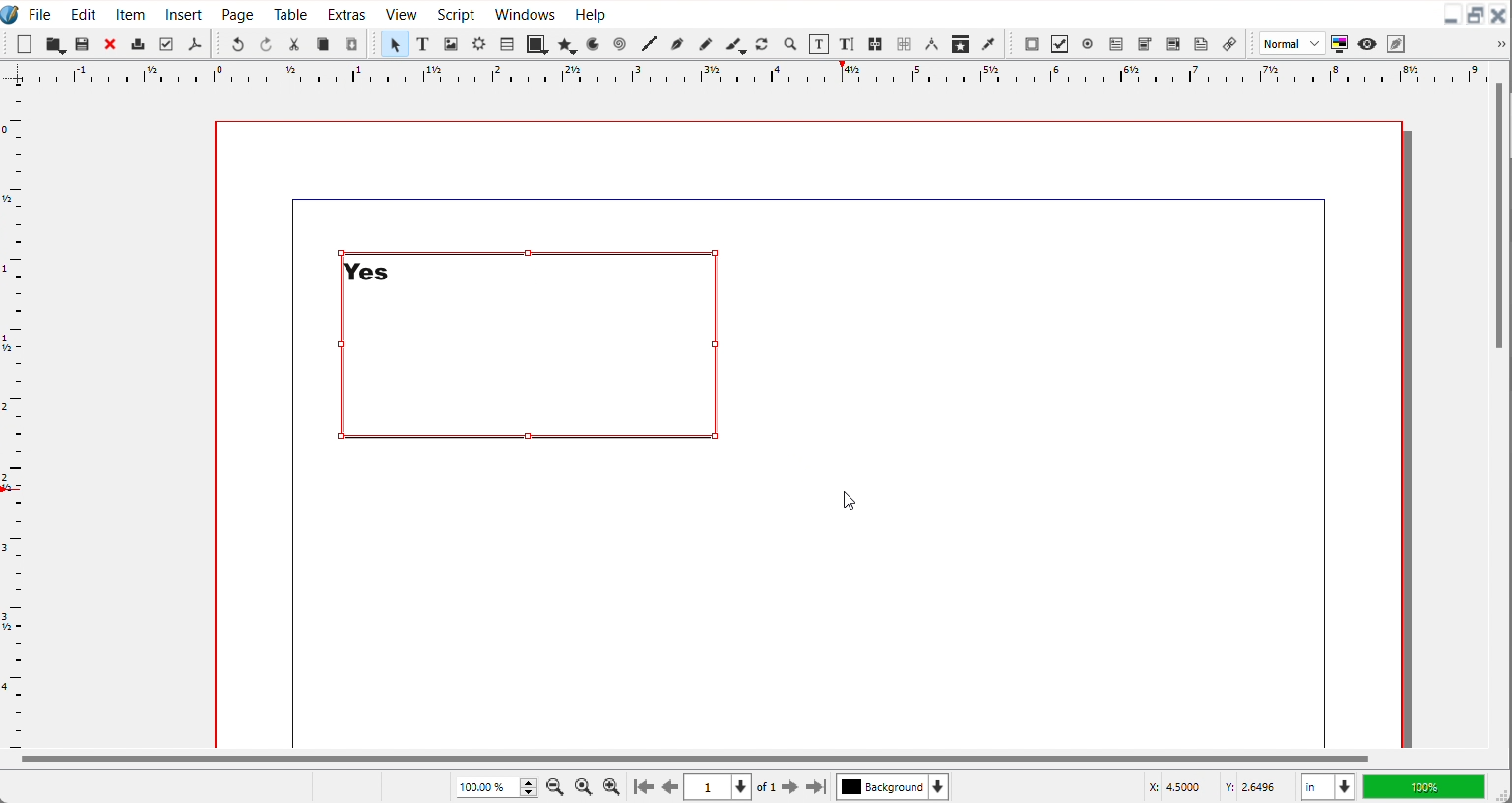 The height and width of the screenshot is (803, 1512). What do you see at coordinates (644, 786) in the screenshot?
I see `Go to first page` at bounding box center [644, 786].